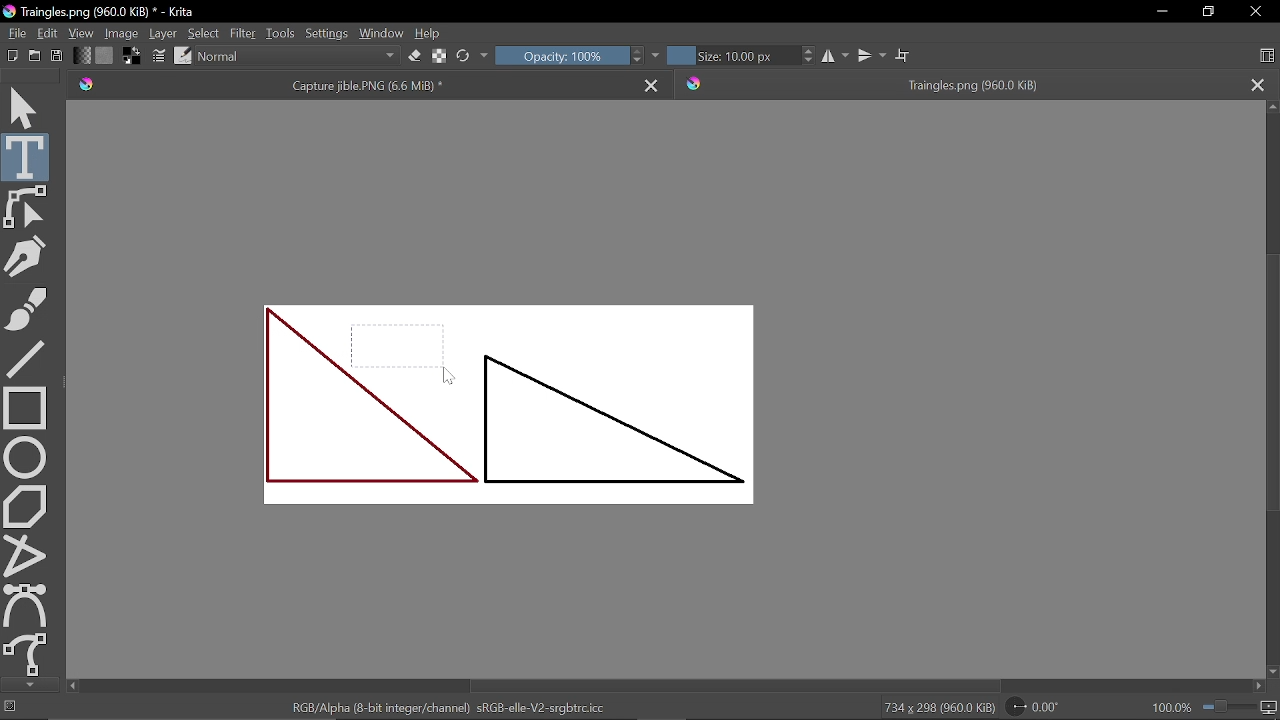 Image resolution: width=1280 pixels, height=720 pixels. Describe the element at coordinates (26, 357) in the screenshot. I see `Line tool` at that location.